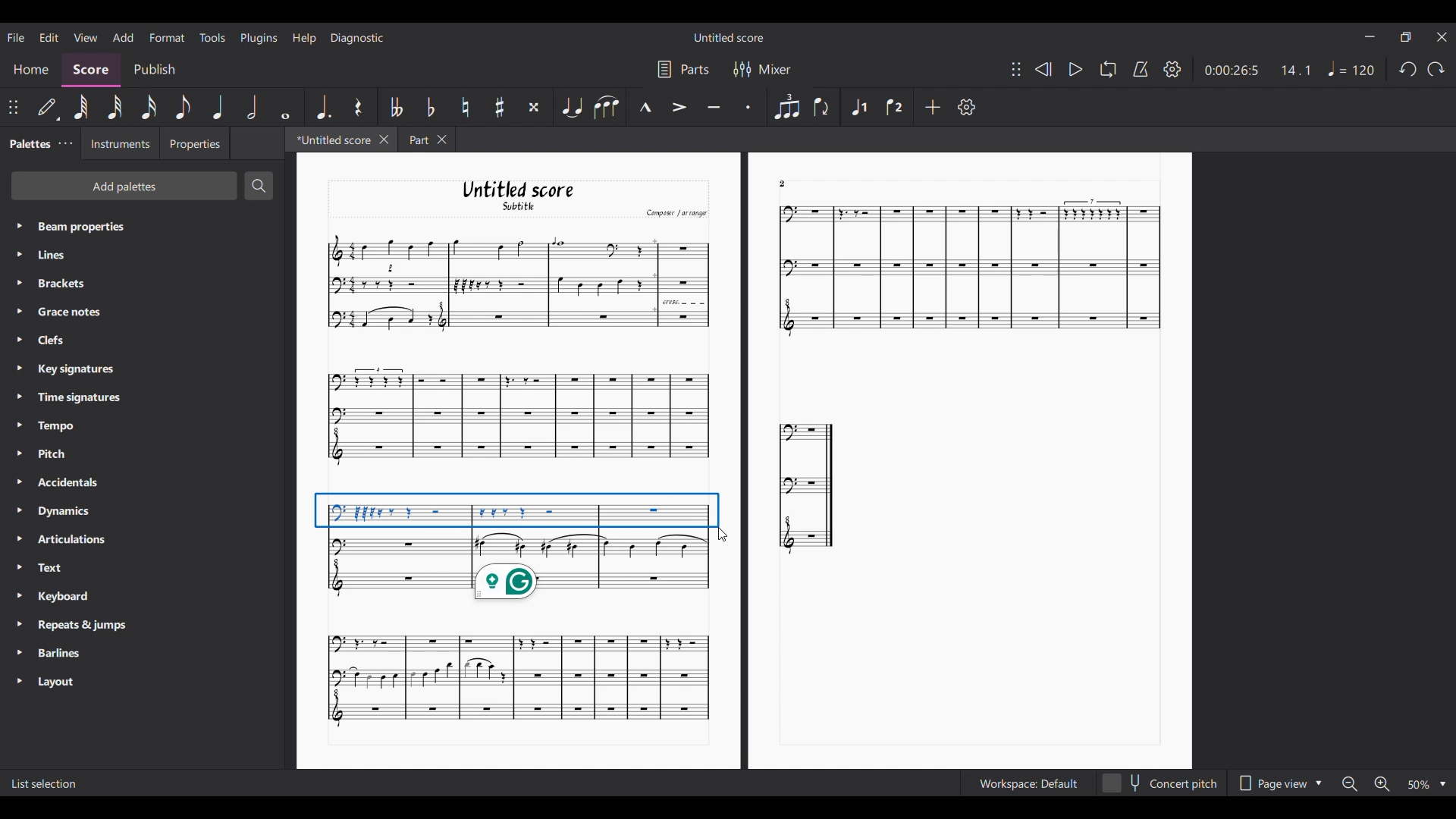 Image resolution: width=1456 pixels, height=819 pixels. I want to click on Part X, so click(426, 140).